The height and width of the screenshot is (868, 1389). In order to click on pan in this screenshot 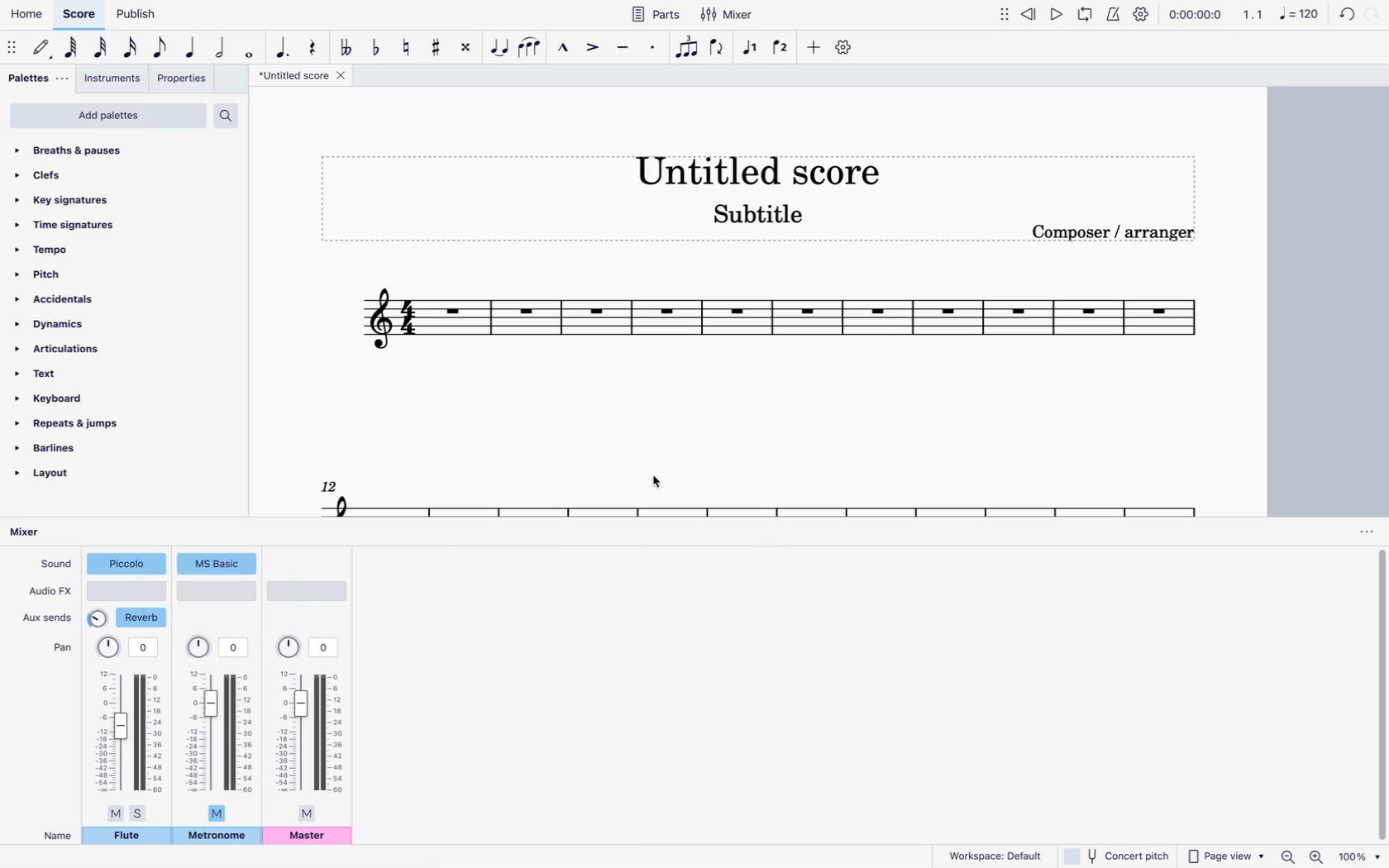, I will do `click(129, 728)`.